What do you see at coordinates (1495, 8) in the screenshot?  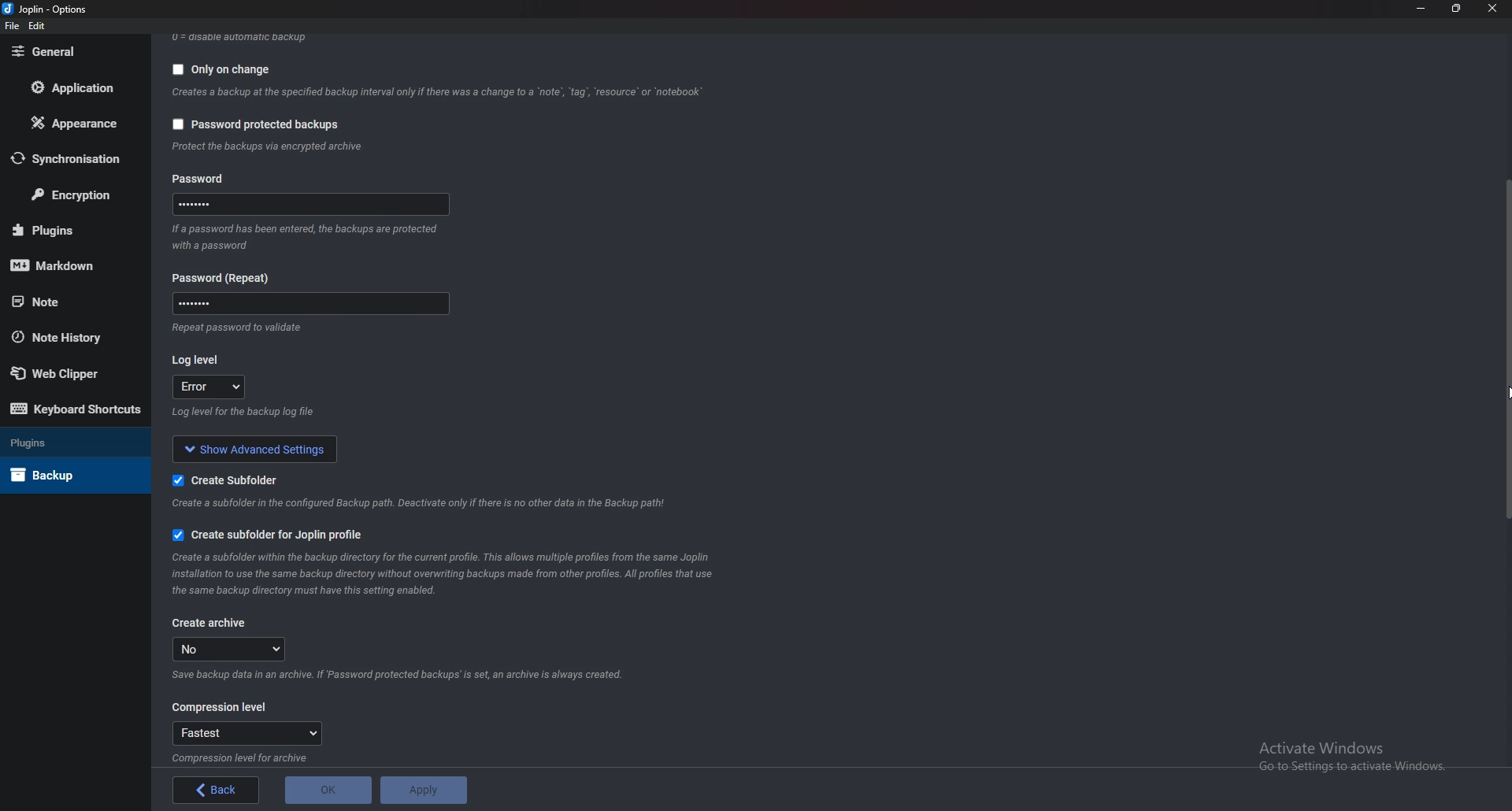 I see `close` at bounding box center [1495, 8].